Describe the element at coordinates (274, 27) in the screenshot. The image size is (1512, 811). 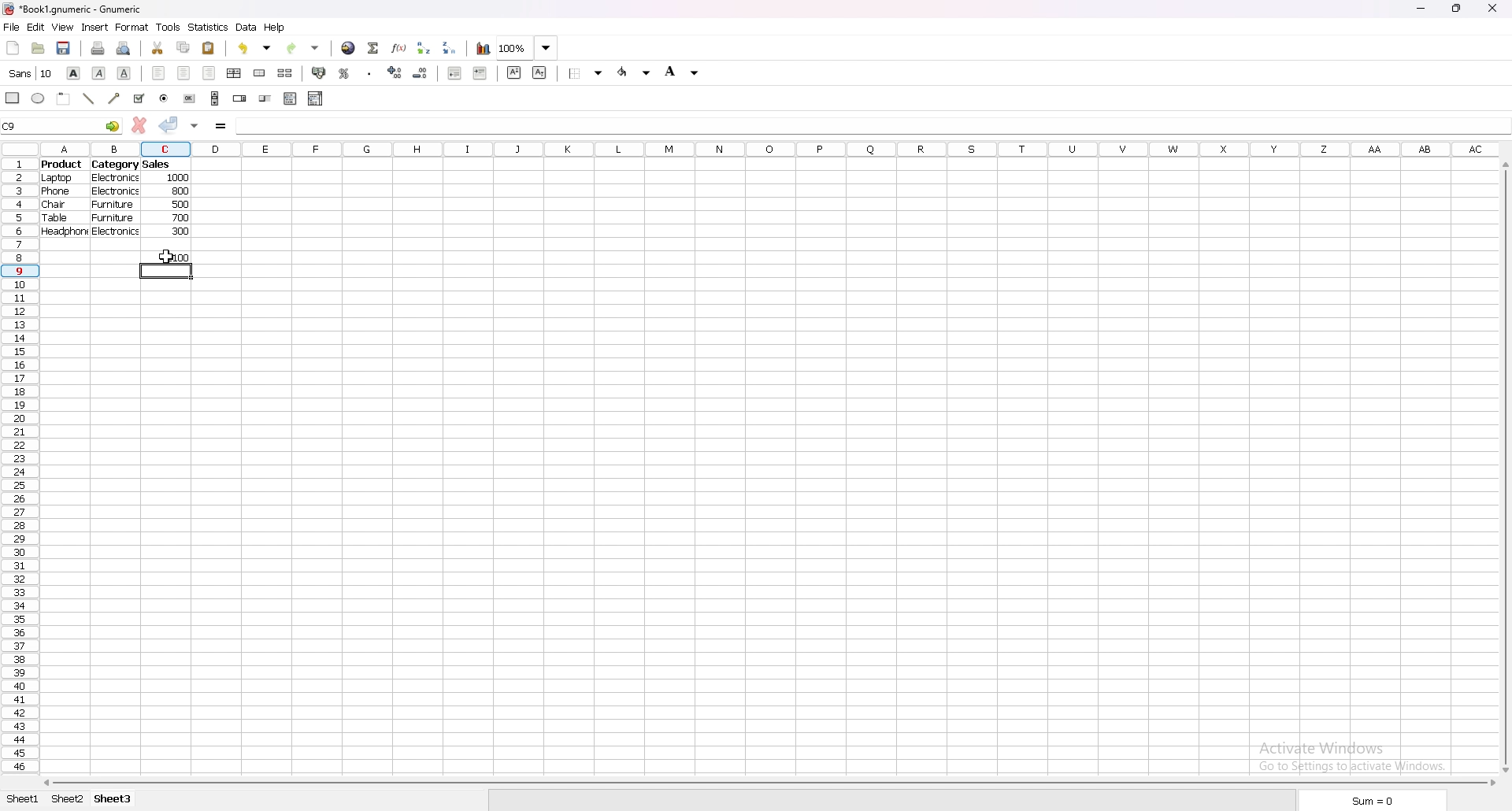
I see `help` at that location.